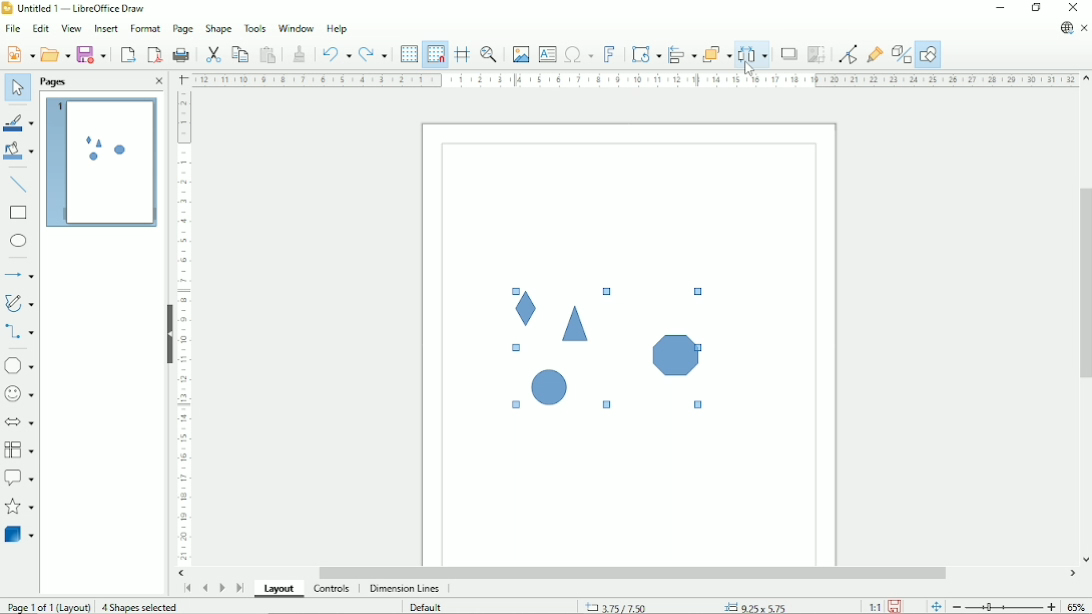 The width and height of the screenshot is (1092, 614). Describe the element at coordinates (181, 29) in the screenshot. I see `Page` at that location.